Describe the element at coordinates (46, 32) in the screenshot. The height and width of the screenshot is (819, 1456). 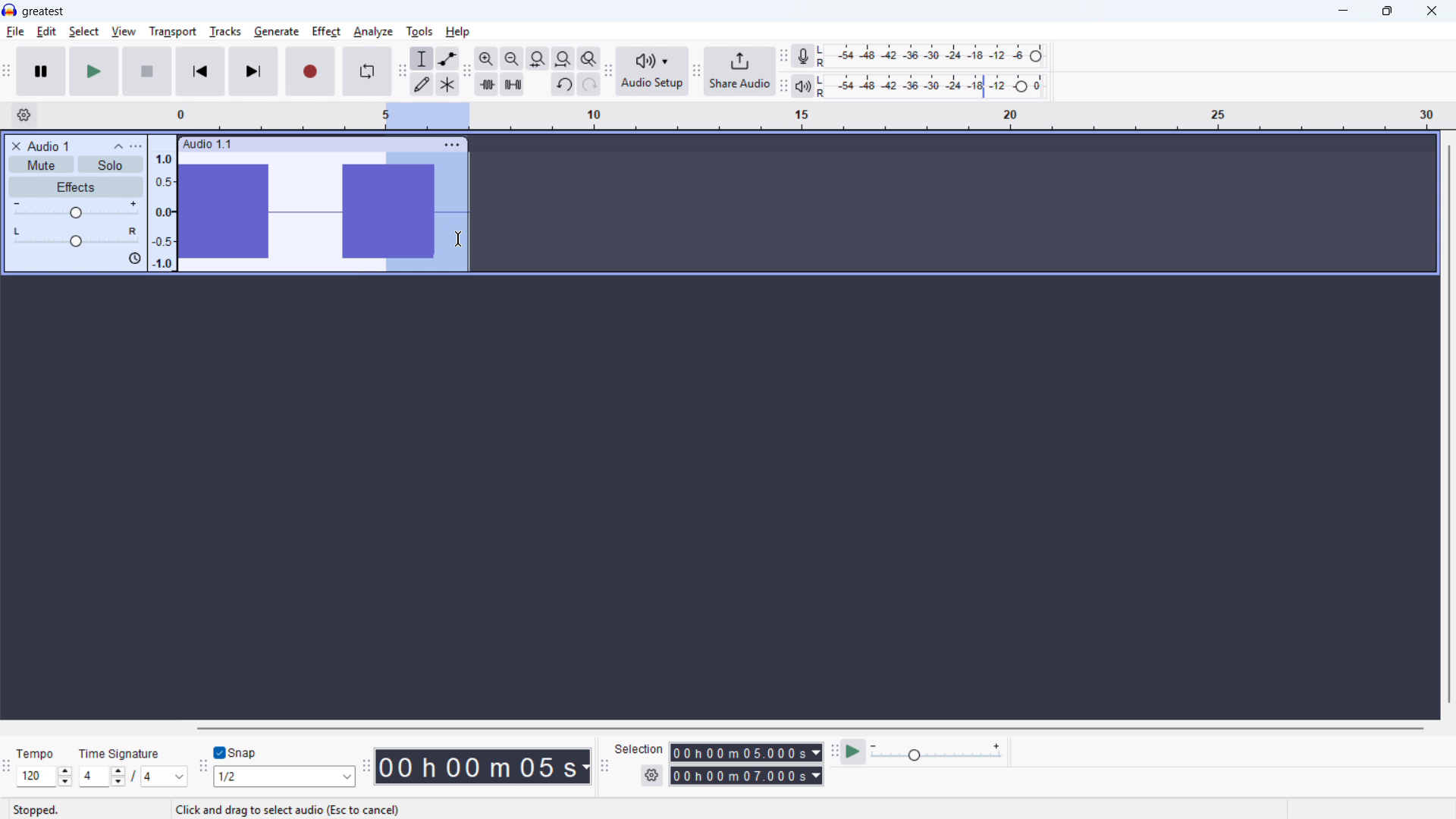
I see `edit` at that location.